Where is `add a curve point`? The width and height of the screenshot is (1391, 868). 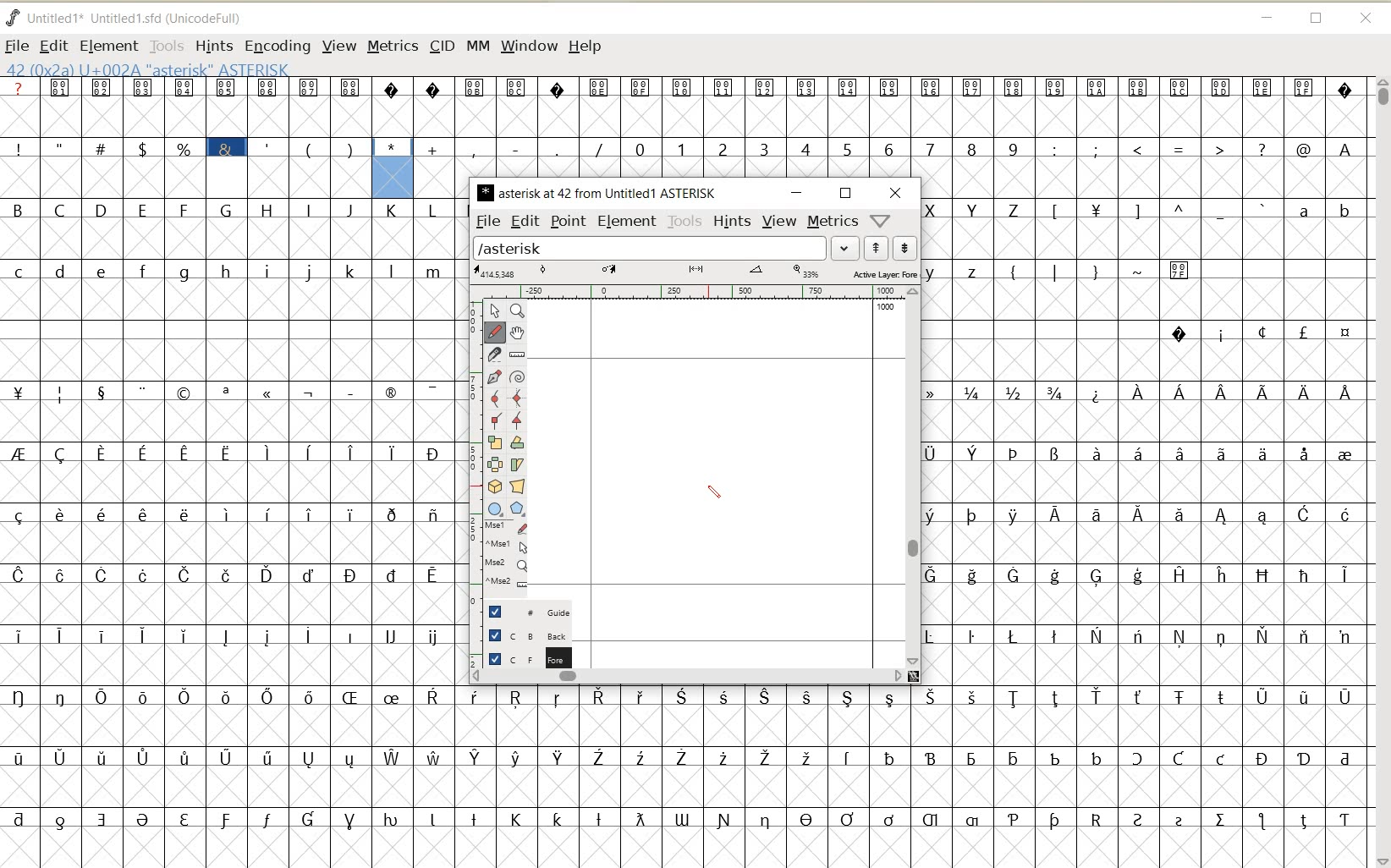 add a curve point is located at coordinates (494, 398).